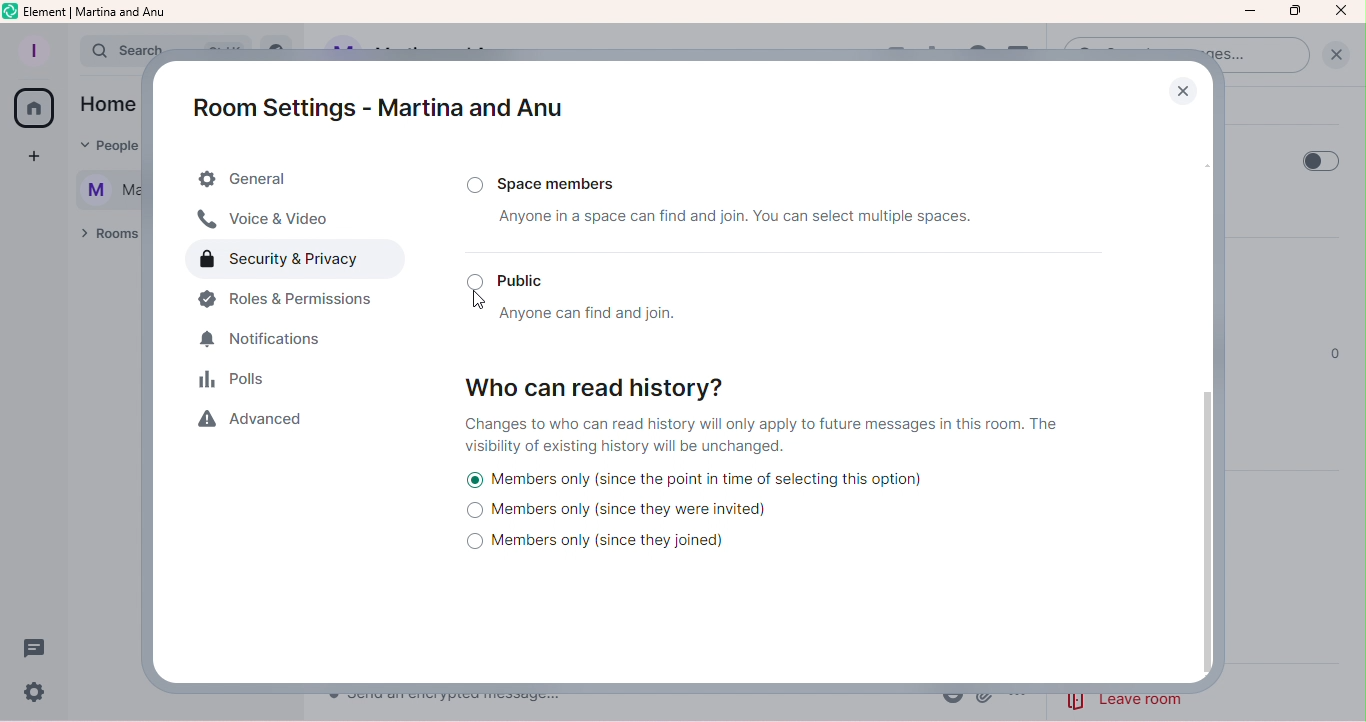 The height and width of the screenshot is (722, 1366). Describe the element at coordinates (1251, 14) in the screenshot. I see `Minimize` at that location.